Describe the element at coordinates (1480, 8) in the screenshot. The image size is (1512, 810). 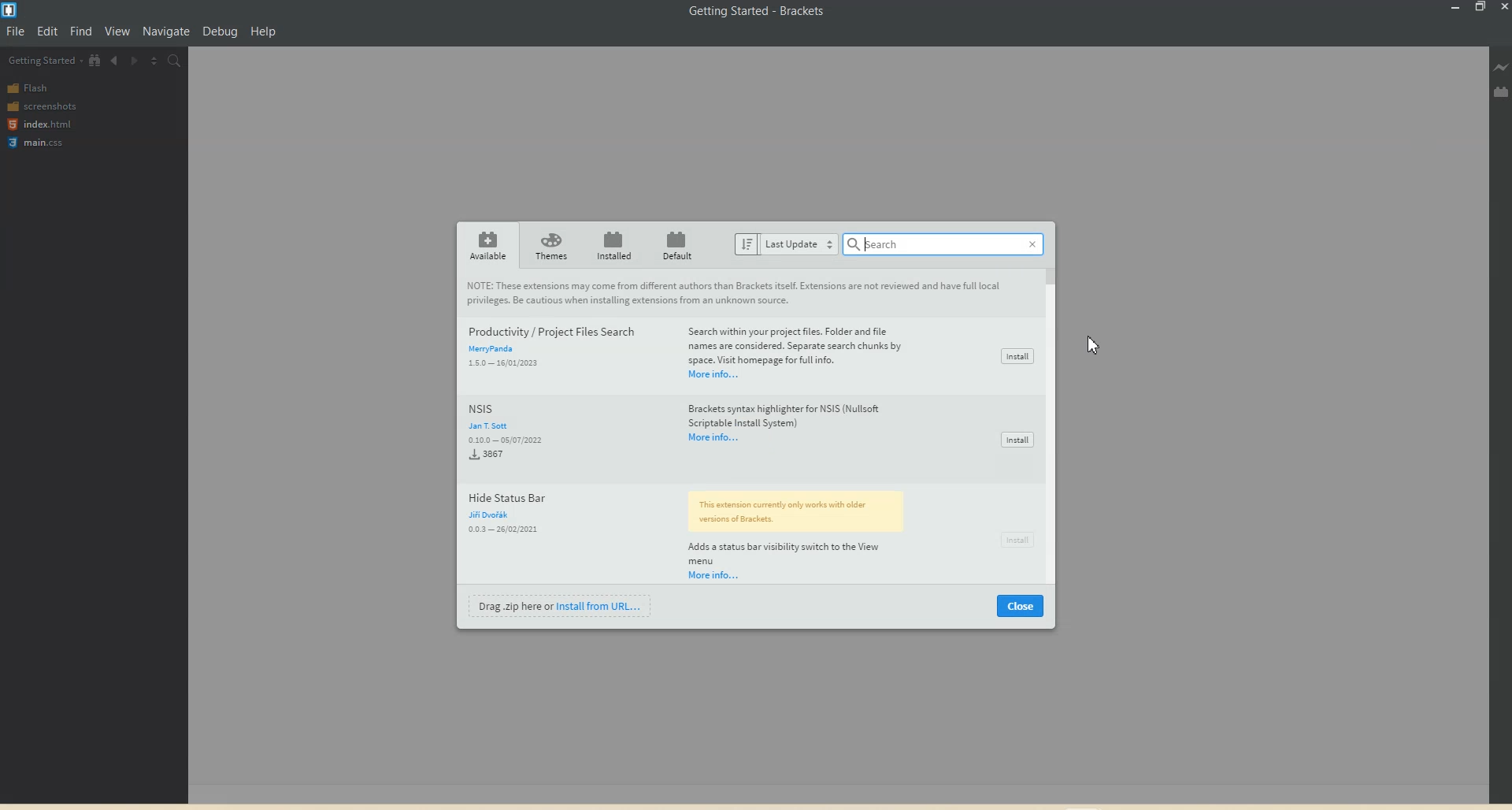
I see `Maximize` at that location.